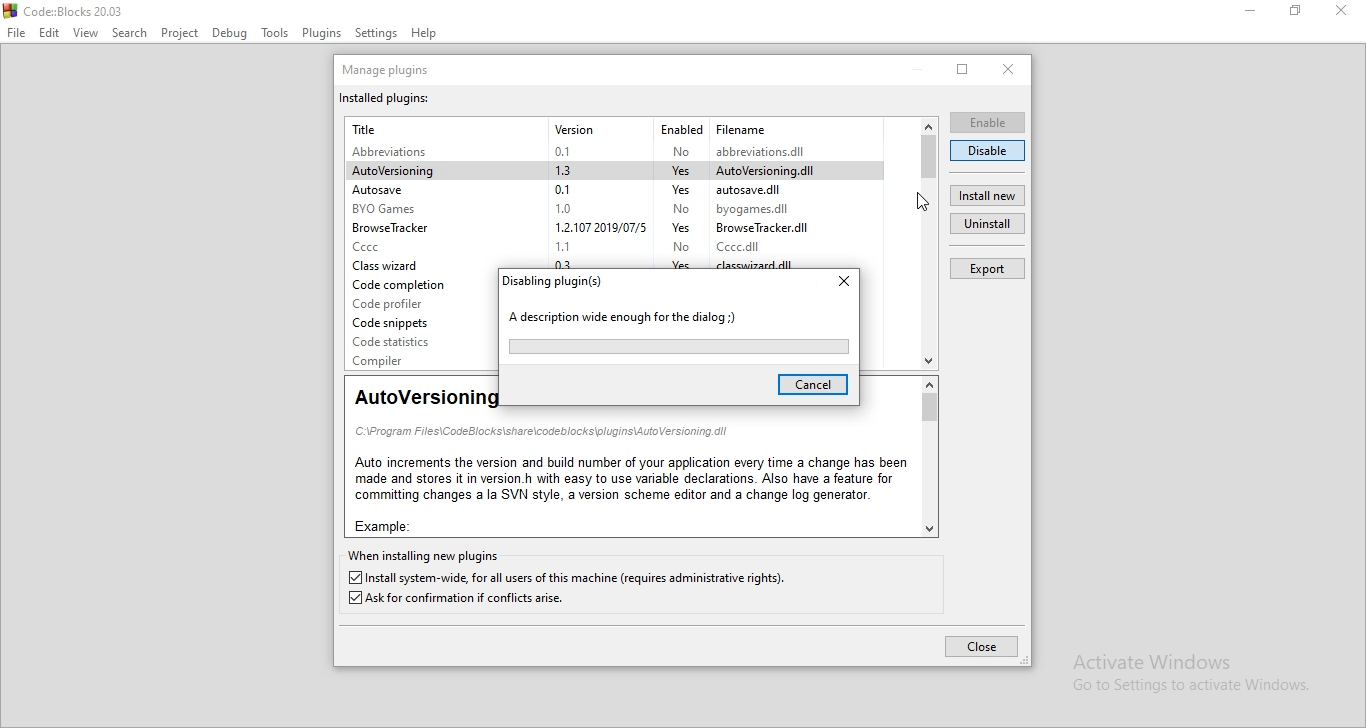  Describe the element at coordinates (987, 195) in the screenshot. I see `install new` at that location.